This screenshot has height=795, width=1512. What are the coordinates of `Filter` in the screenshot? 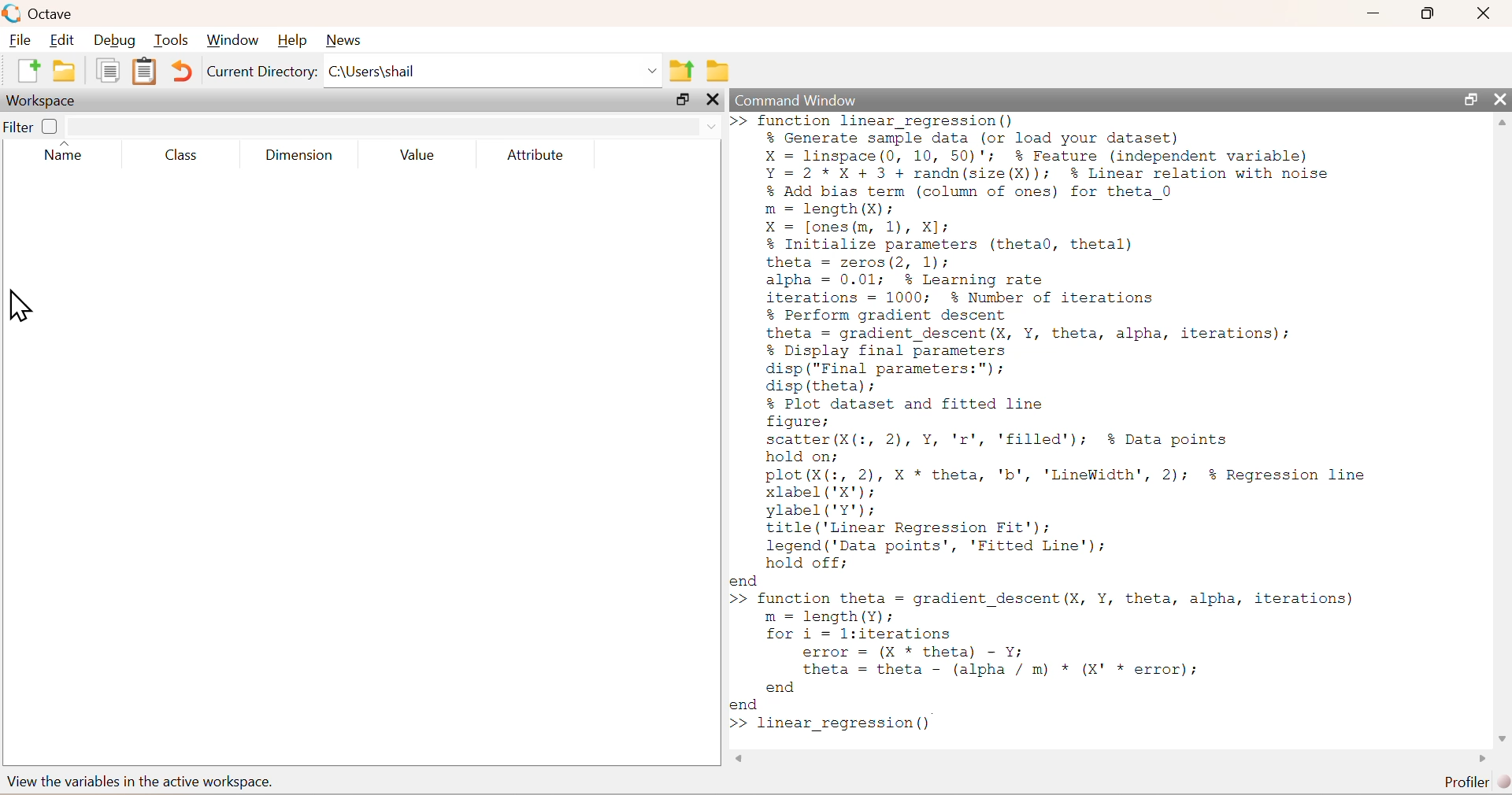 It's located at (31, 126).